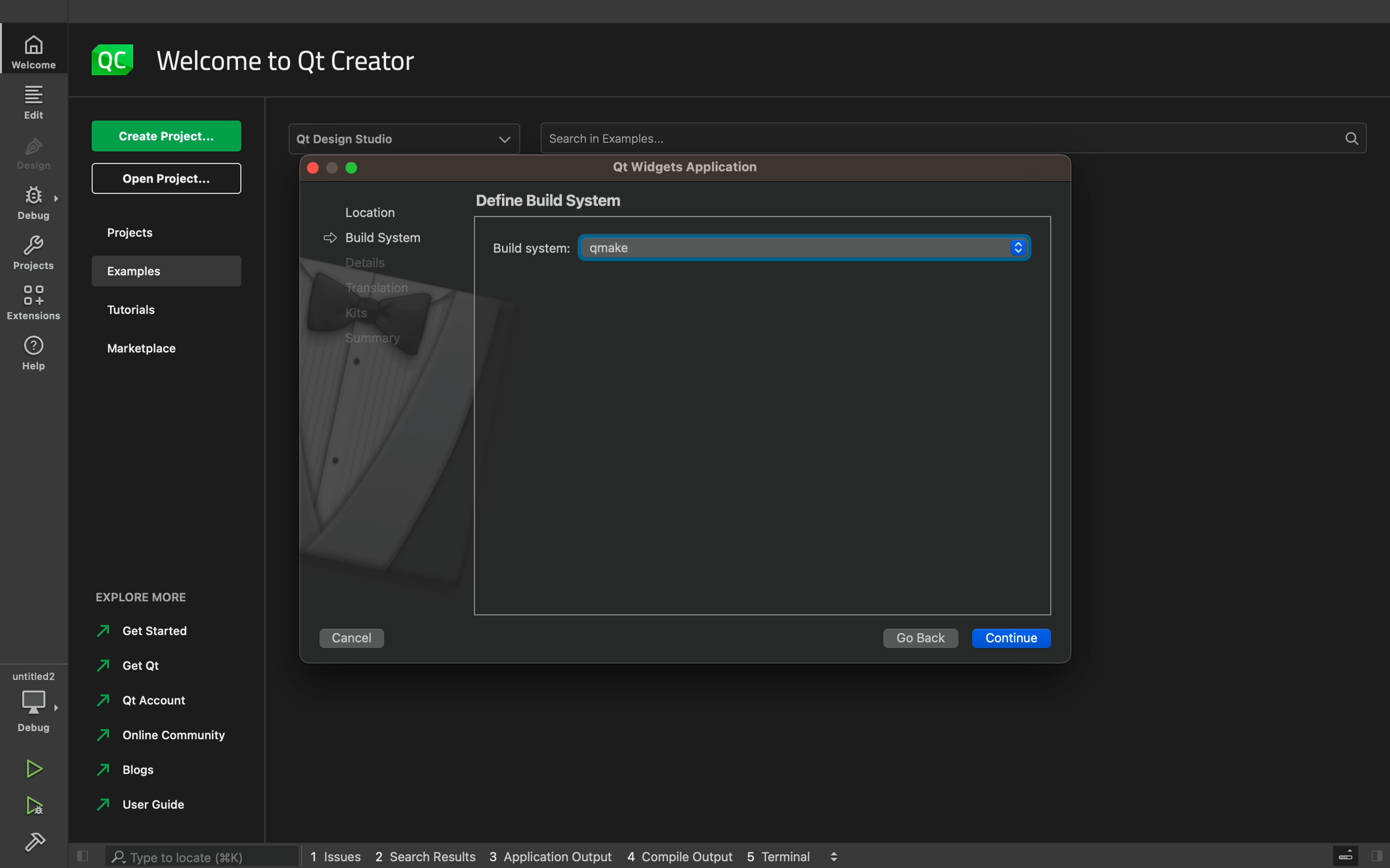 Image resolution: width=1390 pixels, height=868 pixels. What do you see at coordinates (36, 303) in the screenshot?
I see `extensions` at bounding box center [36, 303].